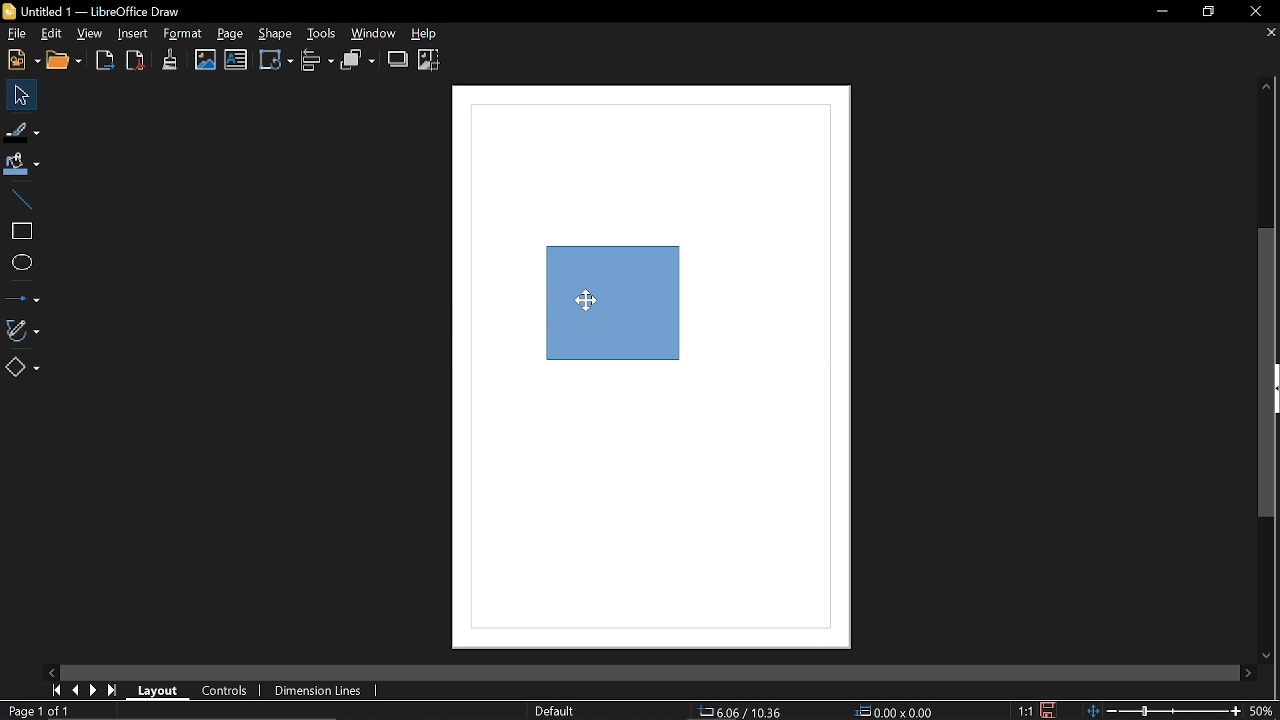 The height and width of the screenshot is (720, 1280). I want to click on Select, so click(20, 95).